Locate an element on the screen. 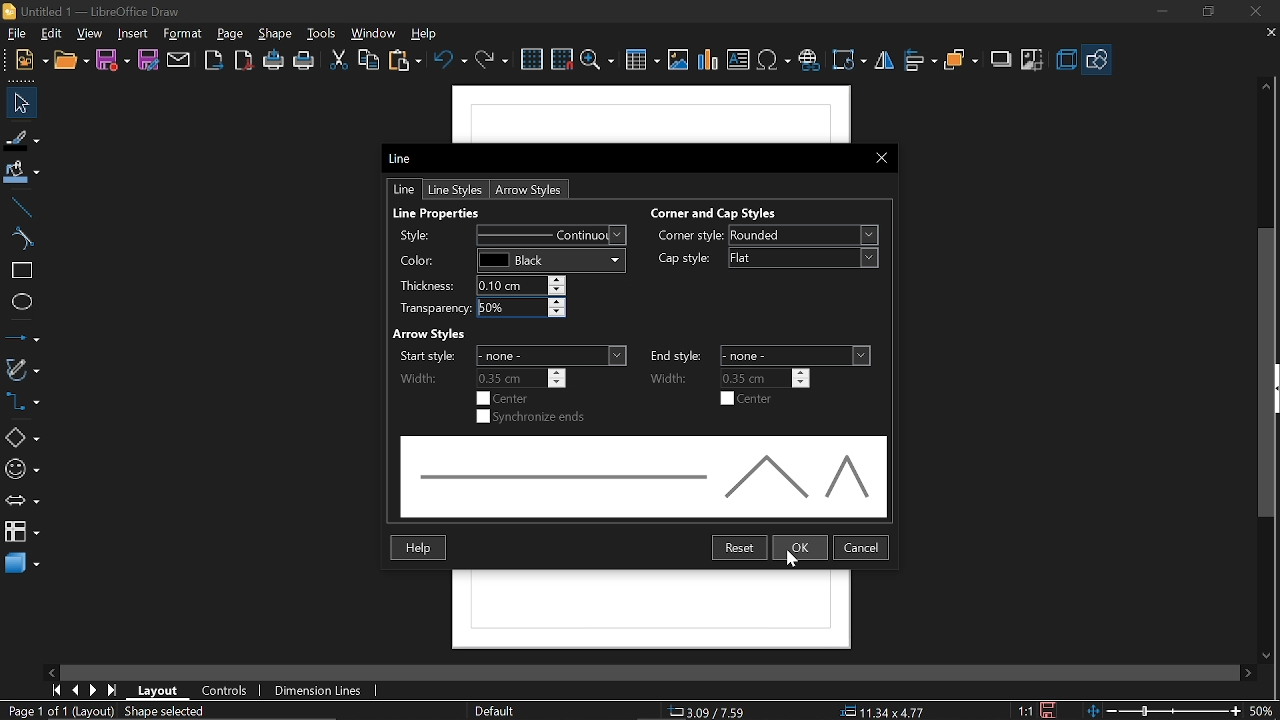 This screenshot has height=720, width=1280. Move right is located at coordinates (1247, 673).